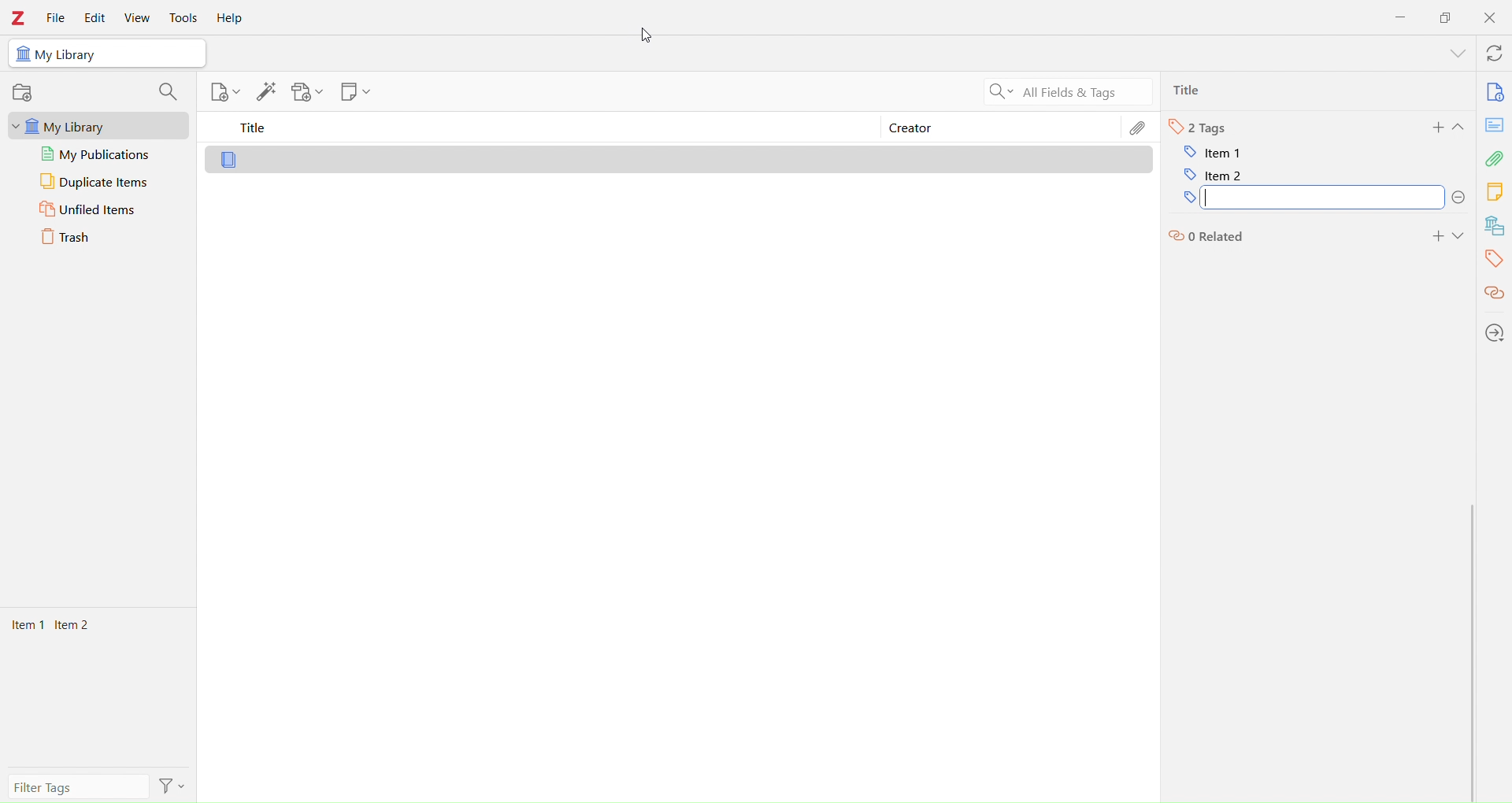 The image size is (1512, 803). I want to click on add, so click(1438, 238).